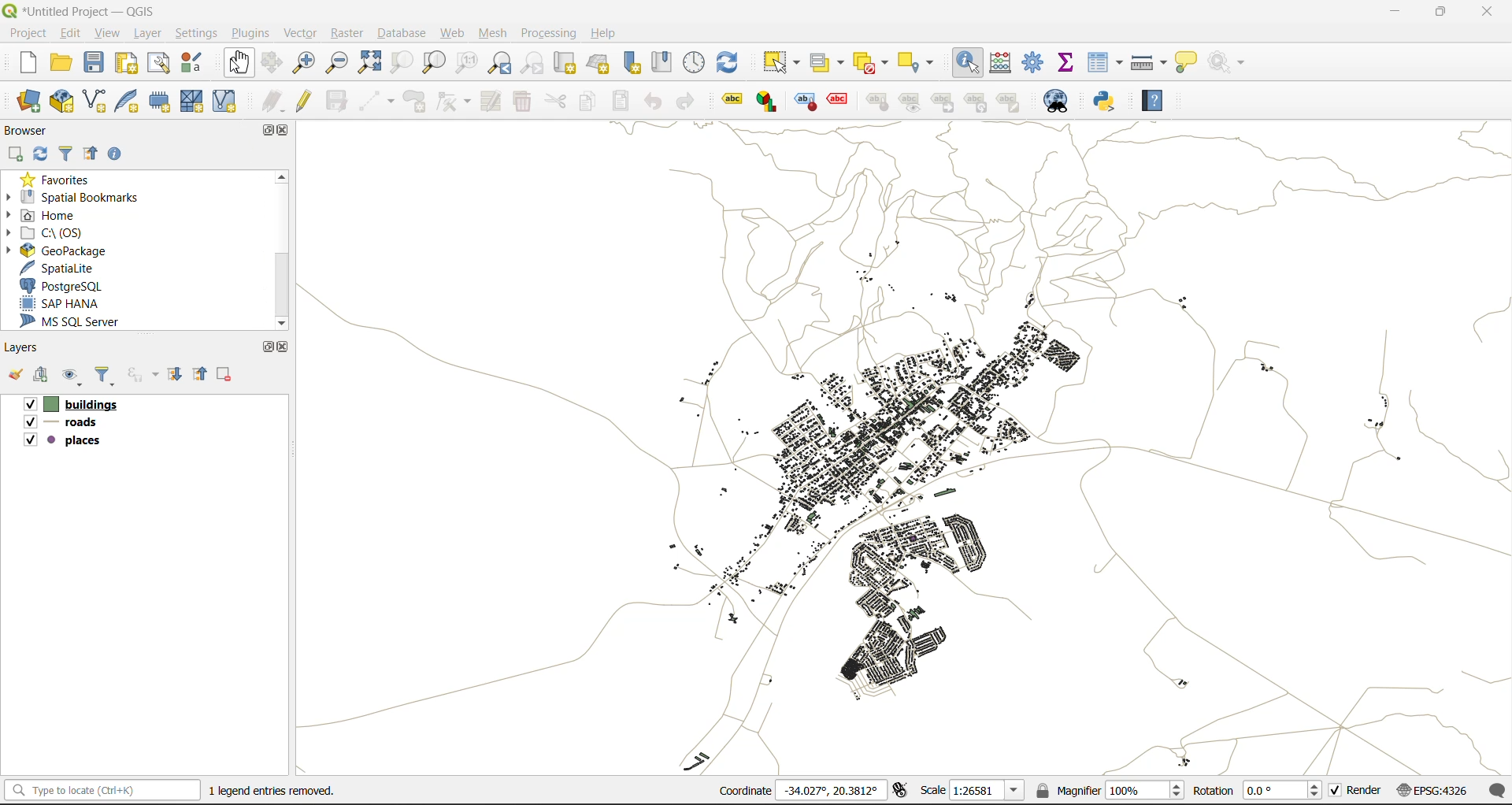  I want to click on toggle edits, so click(305, 99).